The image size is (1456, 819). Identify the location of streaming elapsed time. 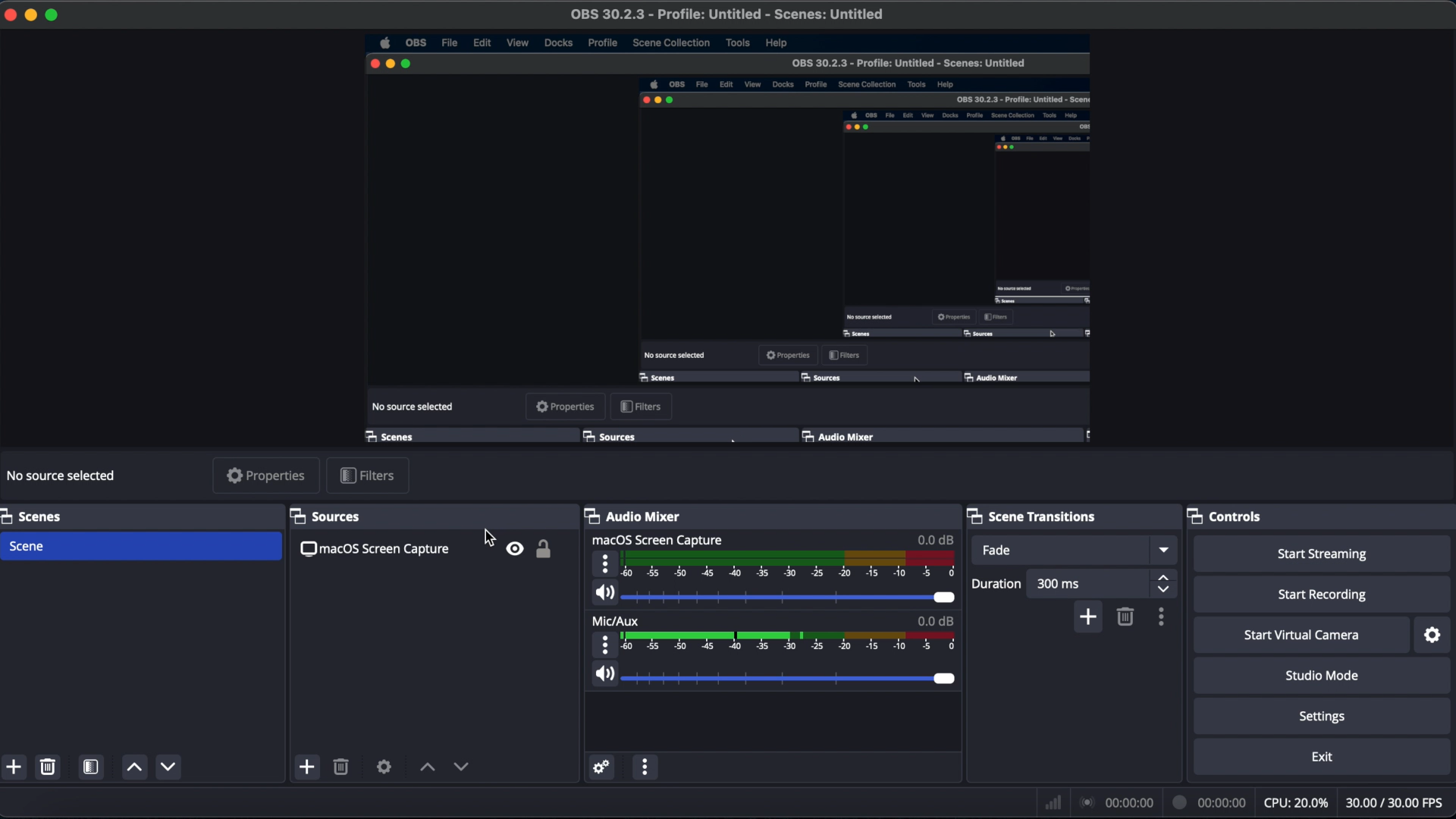
(1119, 802).